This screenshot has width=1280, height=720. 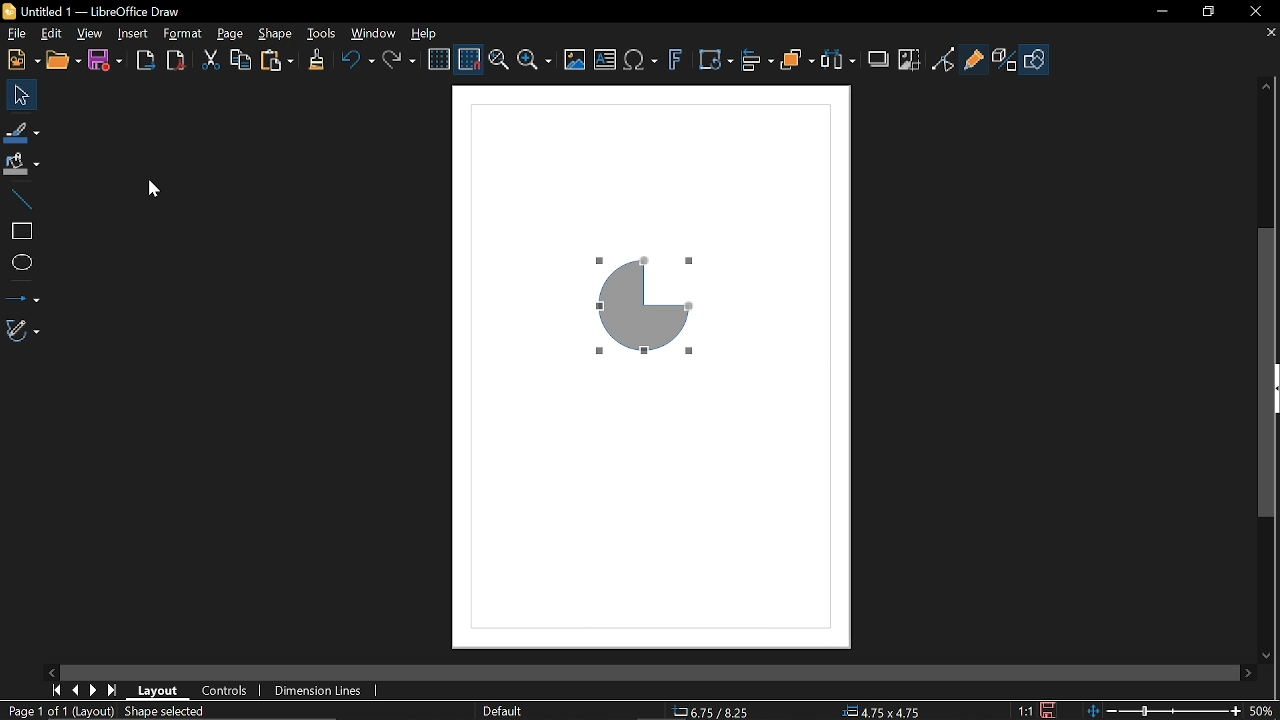 I want to click on Cut , so click(x=210, y=60).